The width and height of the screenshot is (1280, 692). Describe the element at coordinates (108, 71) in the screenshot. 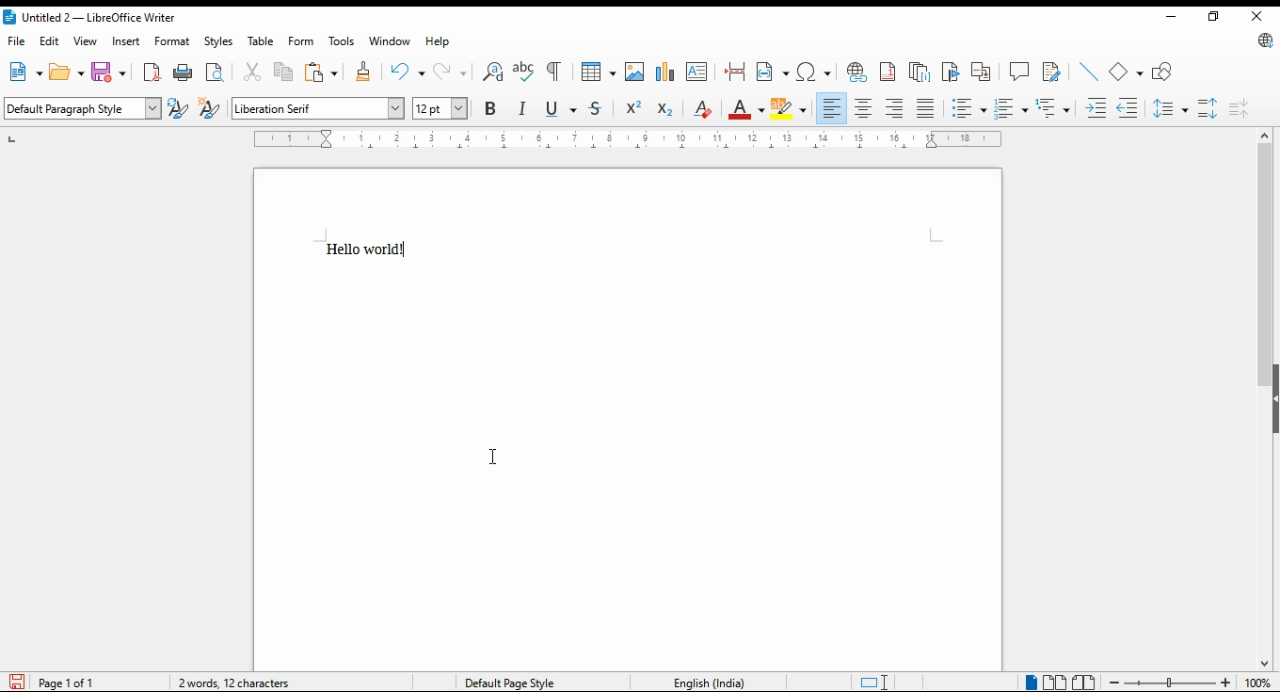

I see `save` at that location.